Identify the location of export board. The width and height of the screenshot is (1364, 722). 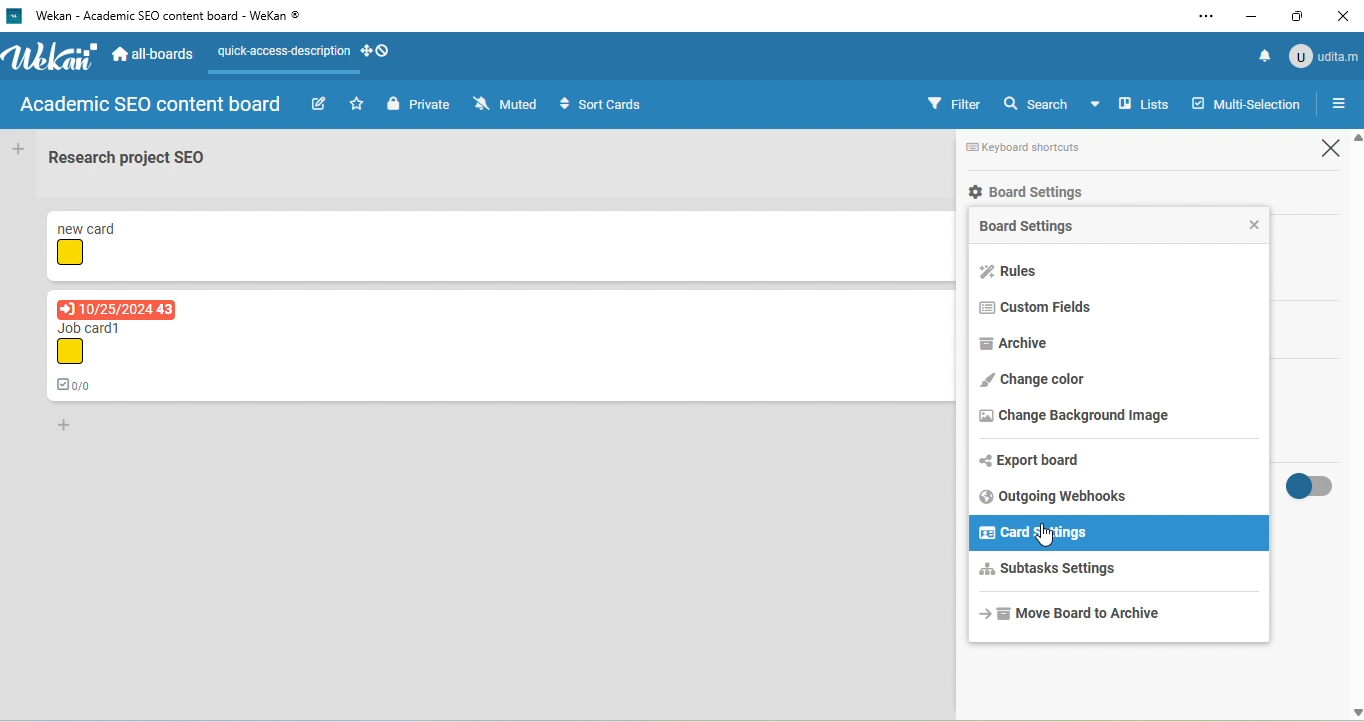
(1060, 458).